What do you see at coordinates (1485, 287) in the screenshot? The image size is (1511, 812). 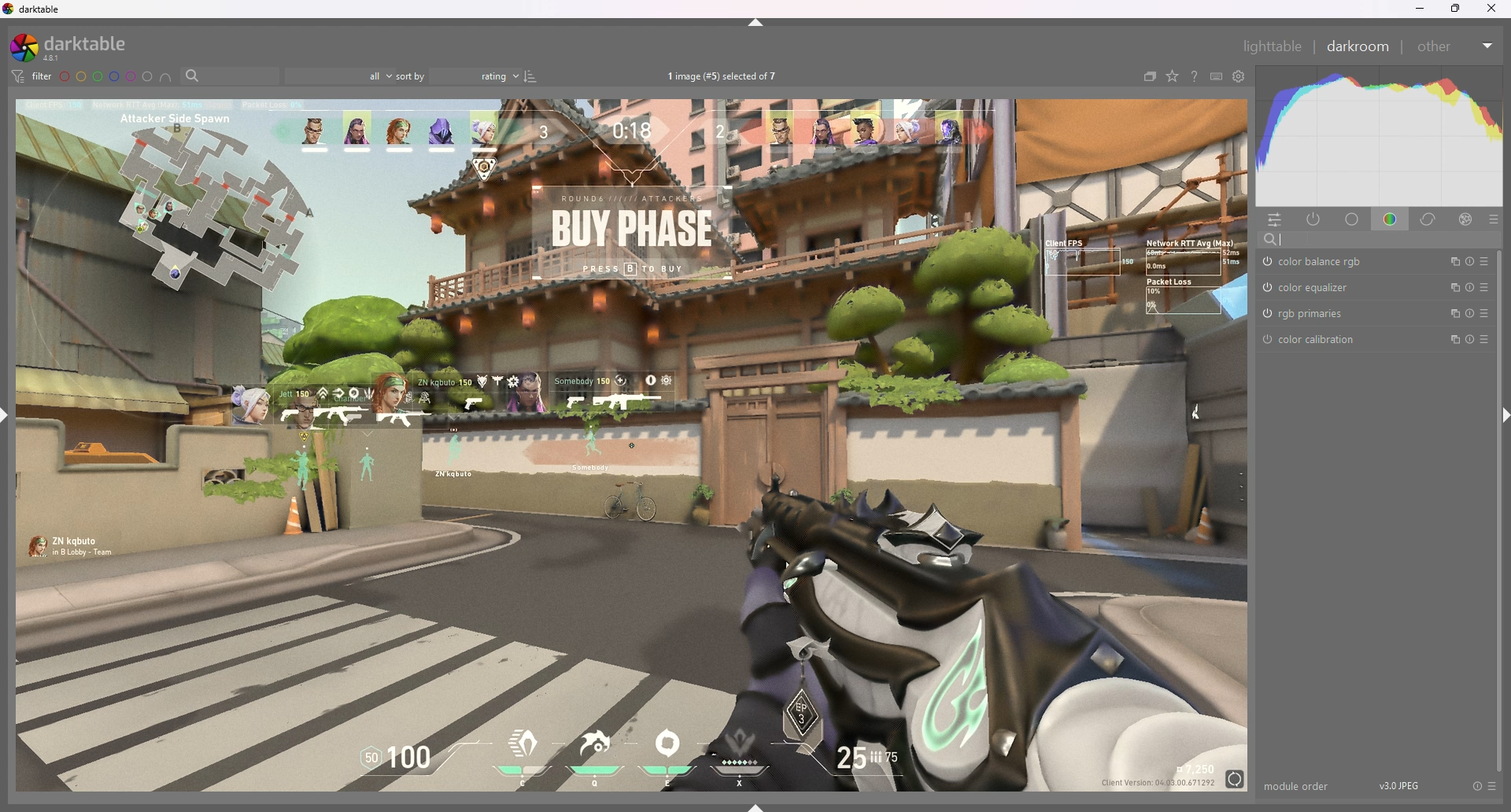 I see `presets` at bounding box center [1485, 287].